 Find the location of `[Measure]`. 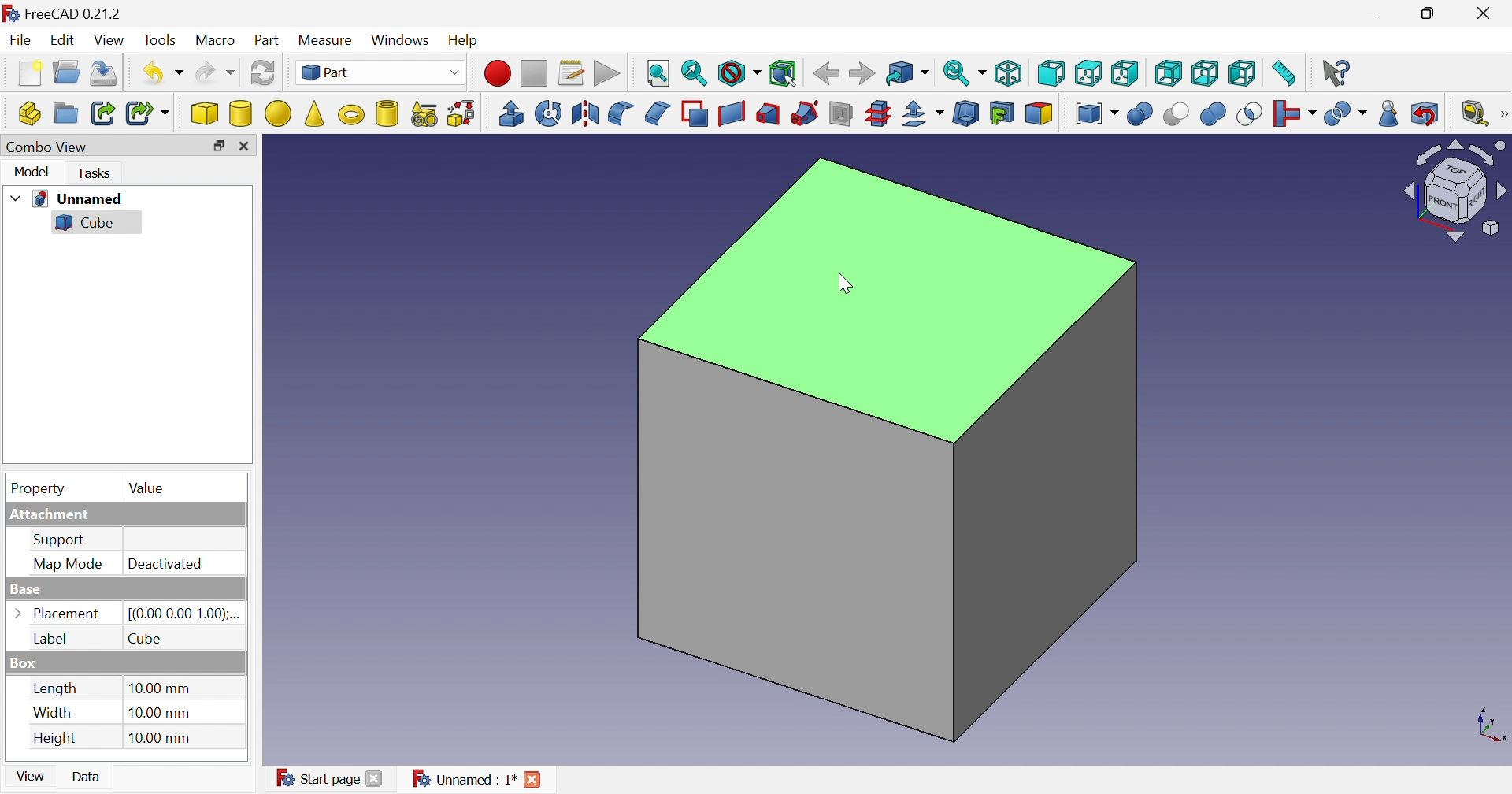

[Measure] is located at coordinates (1503, 113).